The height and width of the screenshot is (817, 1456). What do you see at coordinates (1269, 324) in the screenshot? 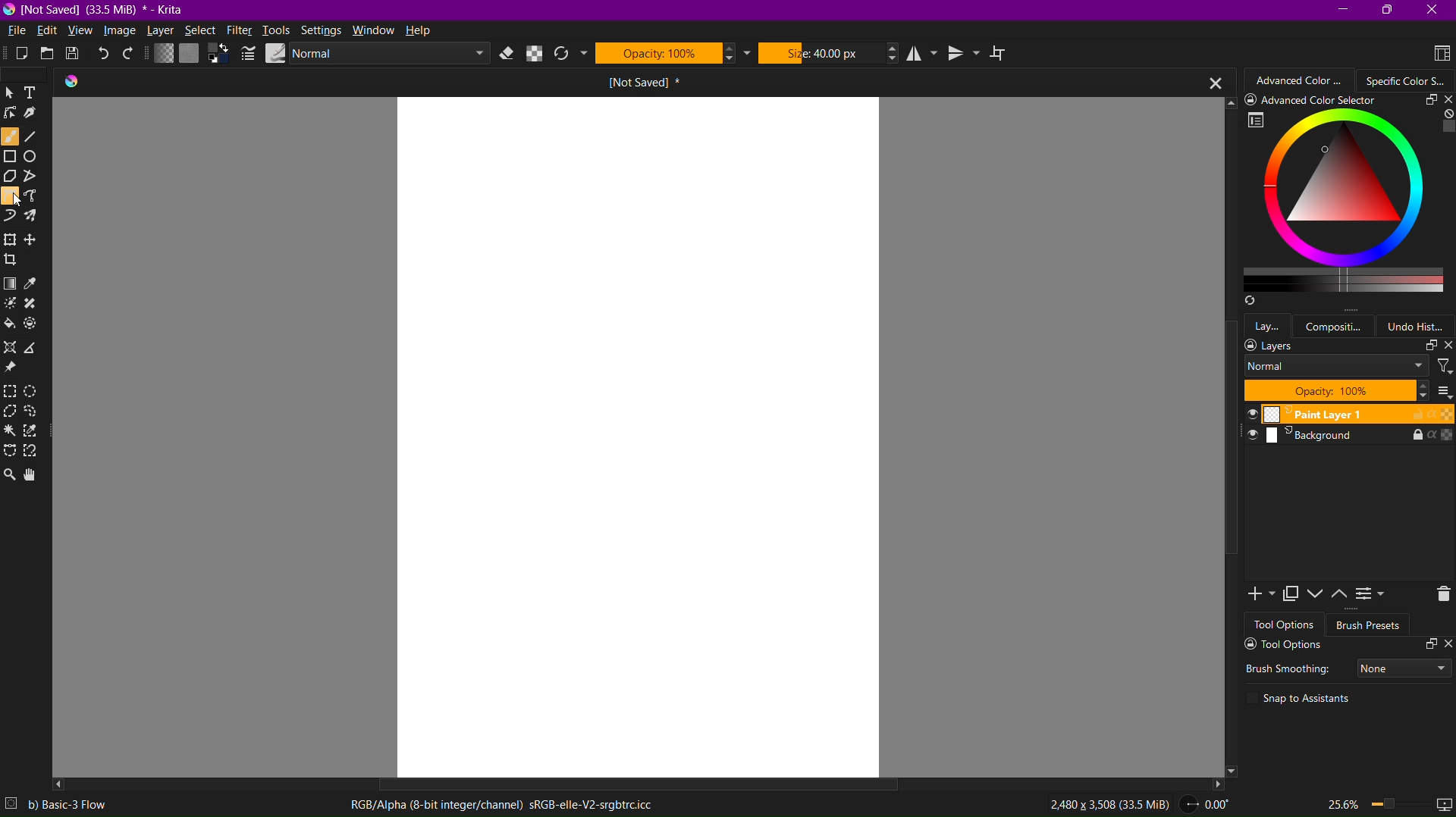
I see `Layers` at bounding box center [1269, 324].